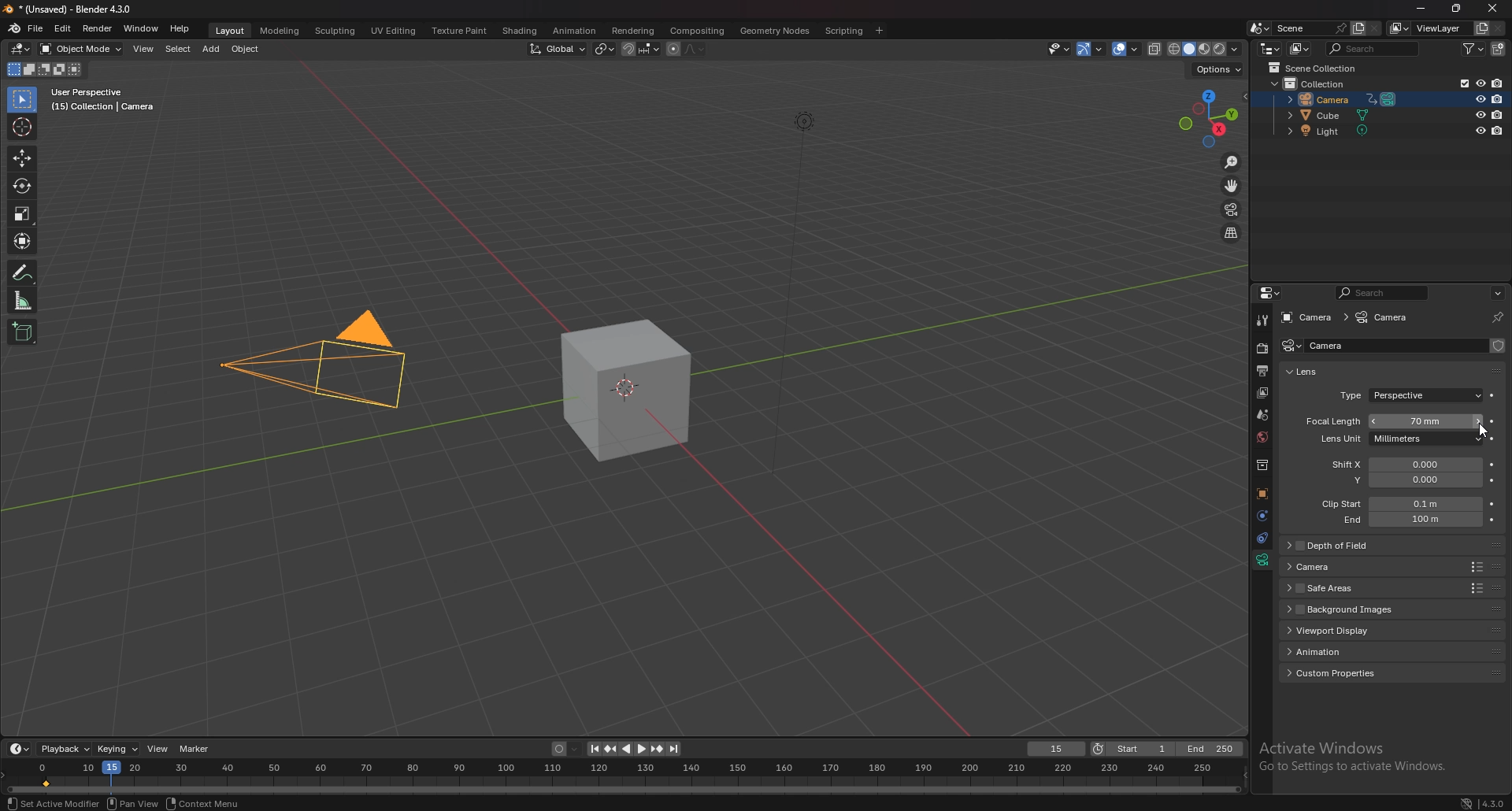  Describe the element at coordinates (44, 69) in the screenshot. I see `mode` at that location.